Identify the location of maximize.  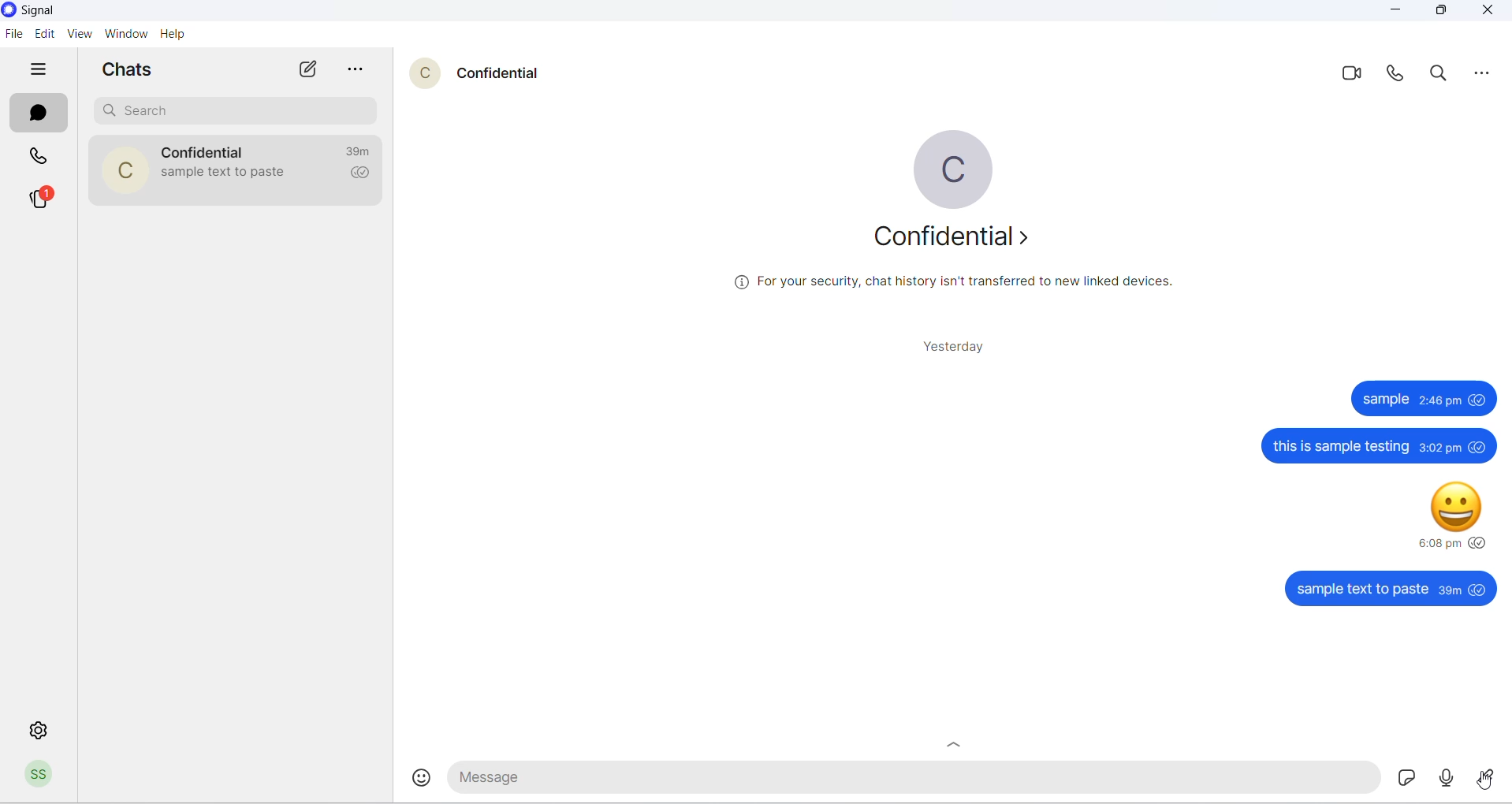
(1439, 12).